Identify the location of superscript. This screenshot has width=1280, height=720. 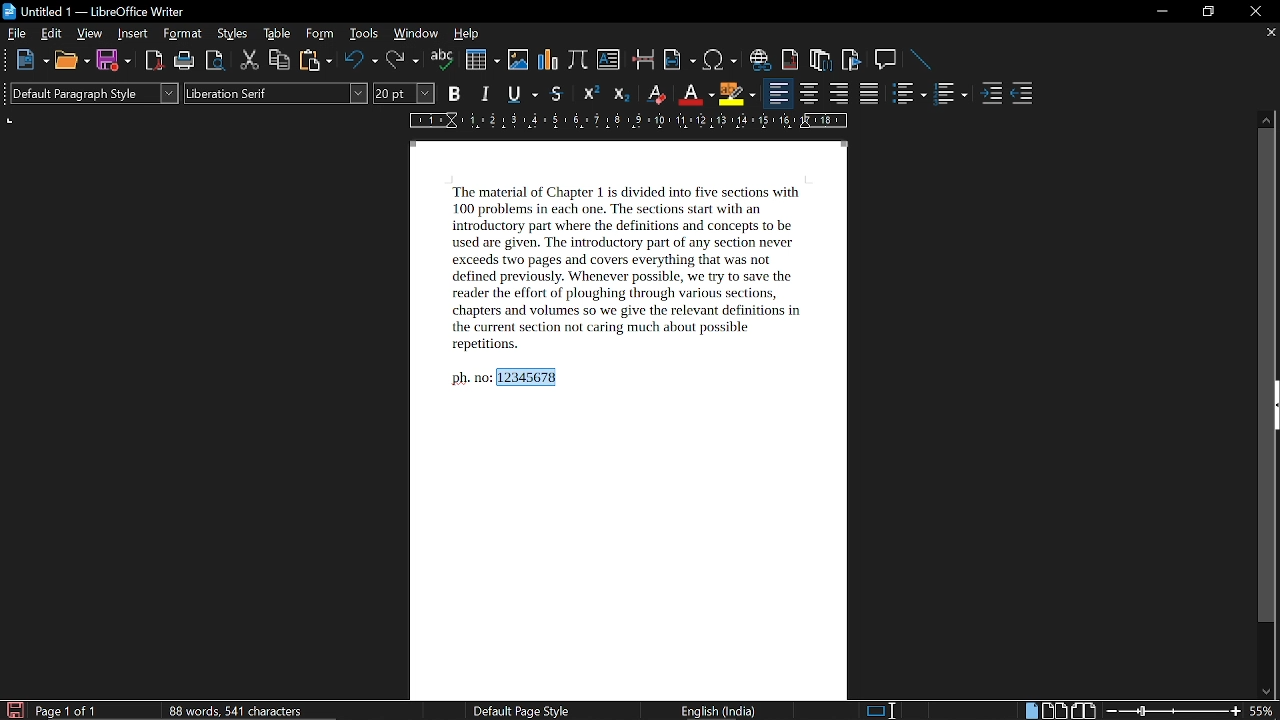
(588, 95).